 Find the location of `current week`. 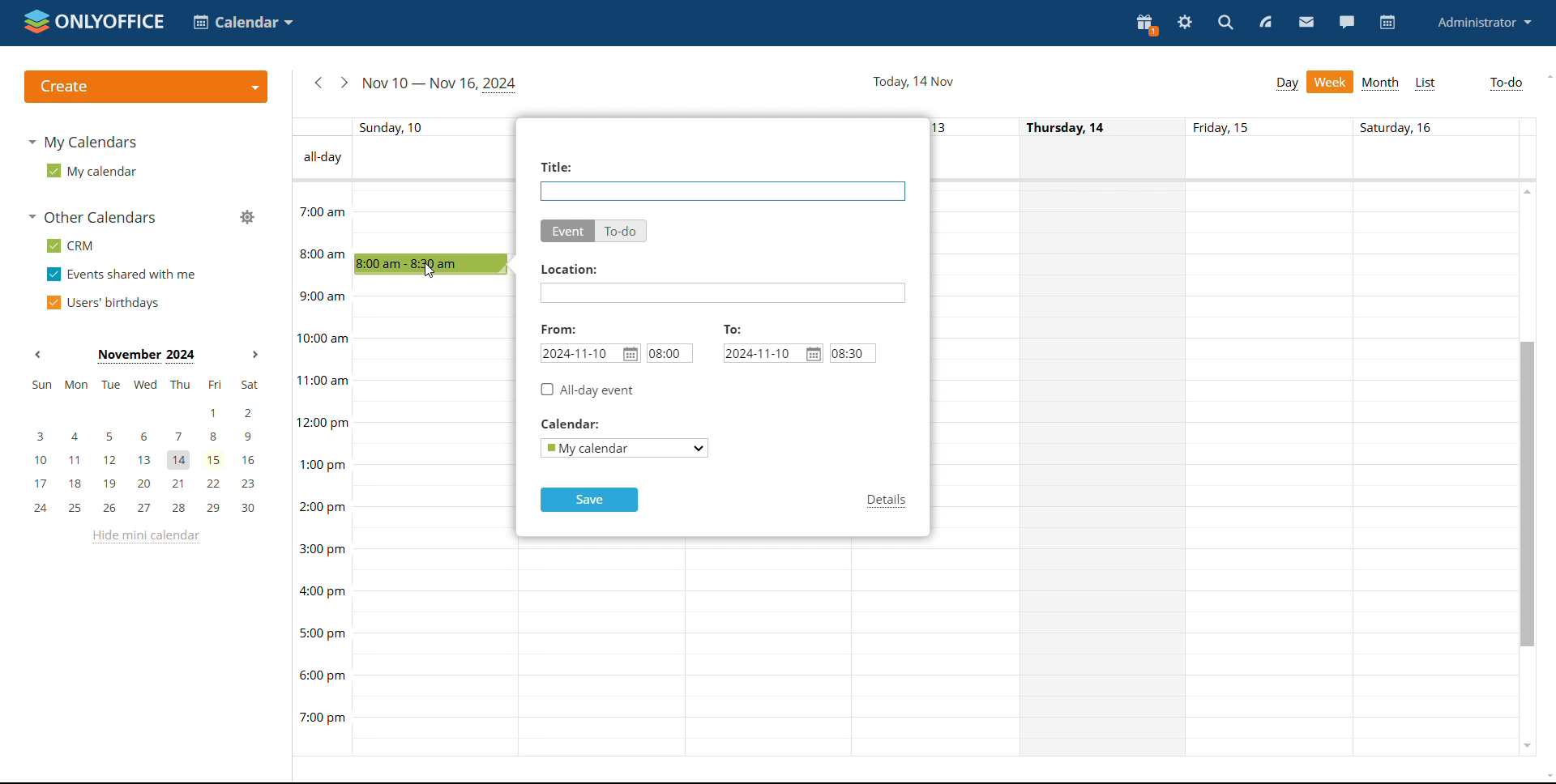

current week is located at coordinates (440, 83).